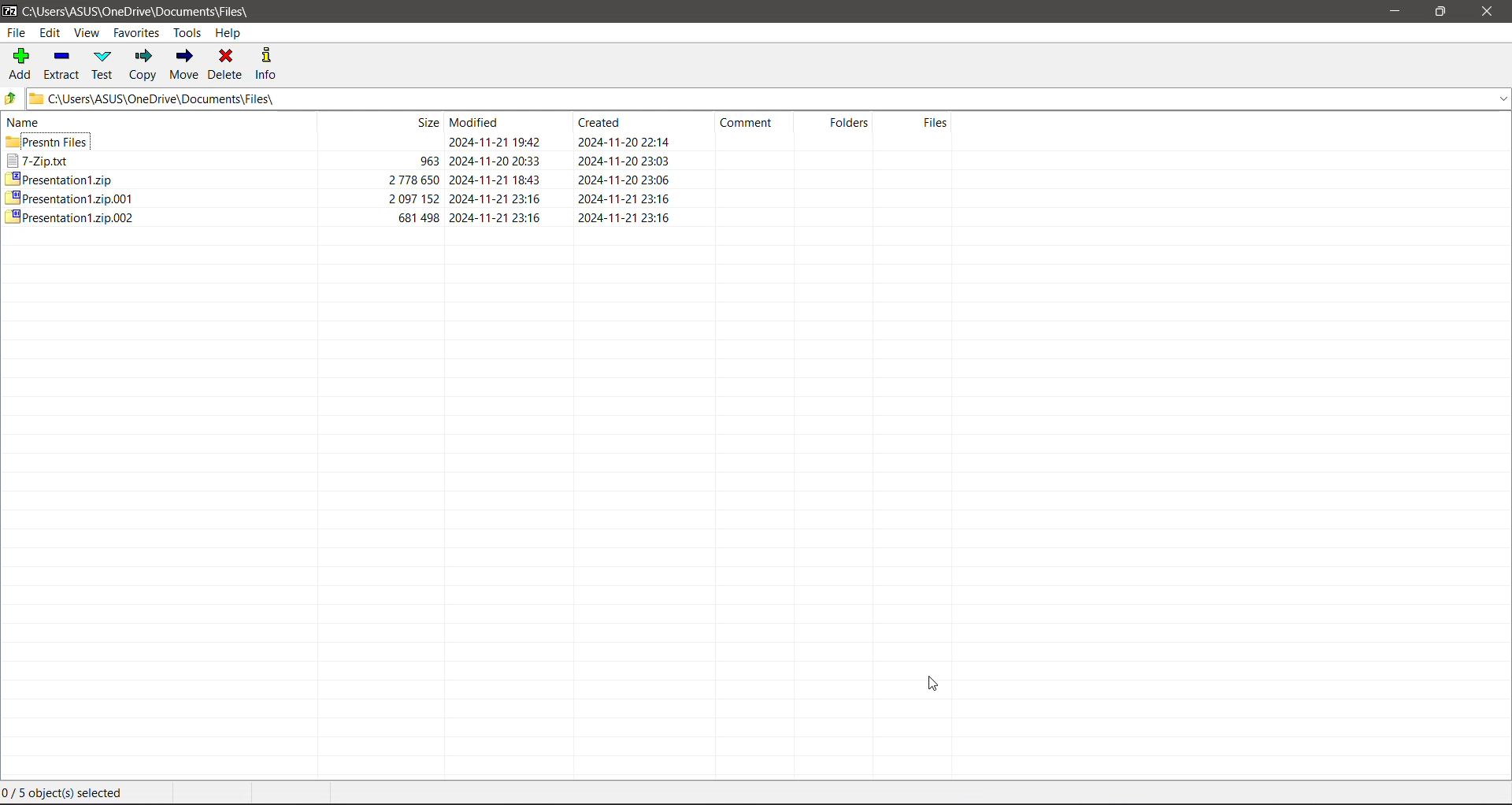 The height and width of the screenshot is (805, 1512). Describe the element at coordinates (17, 35) in the screenshot. I see `File` at that location.